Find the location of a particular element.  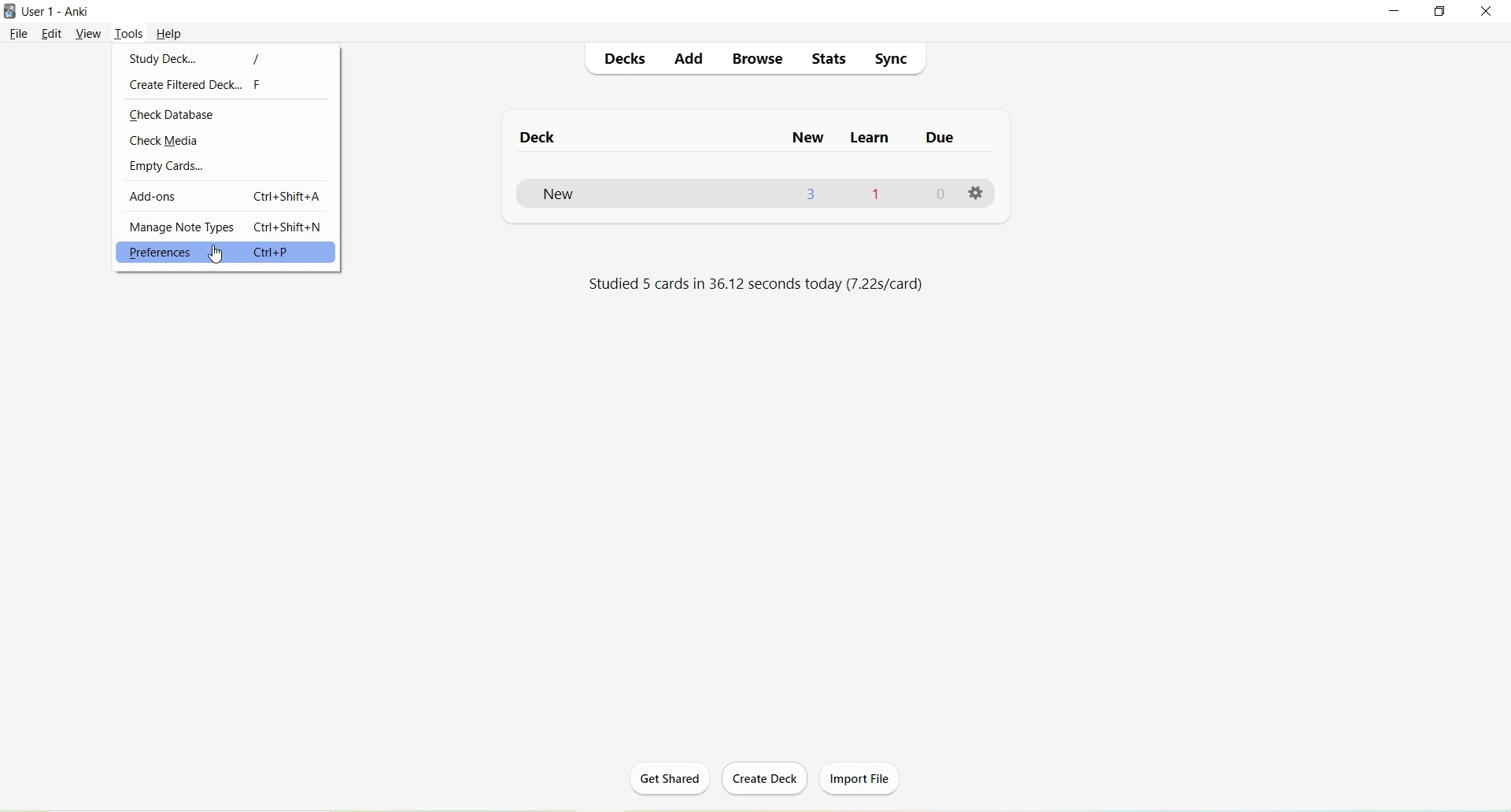

Ctrl+Shift+N is located at coordinates (291, 227).